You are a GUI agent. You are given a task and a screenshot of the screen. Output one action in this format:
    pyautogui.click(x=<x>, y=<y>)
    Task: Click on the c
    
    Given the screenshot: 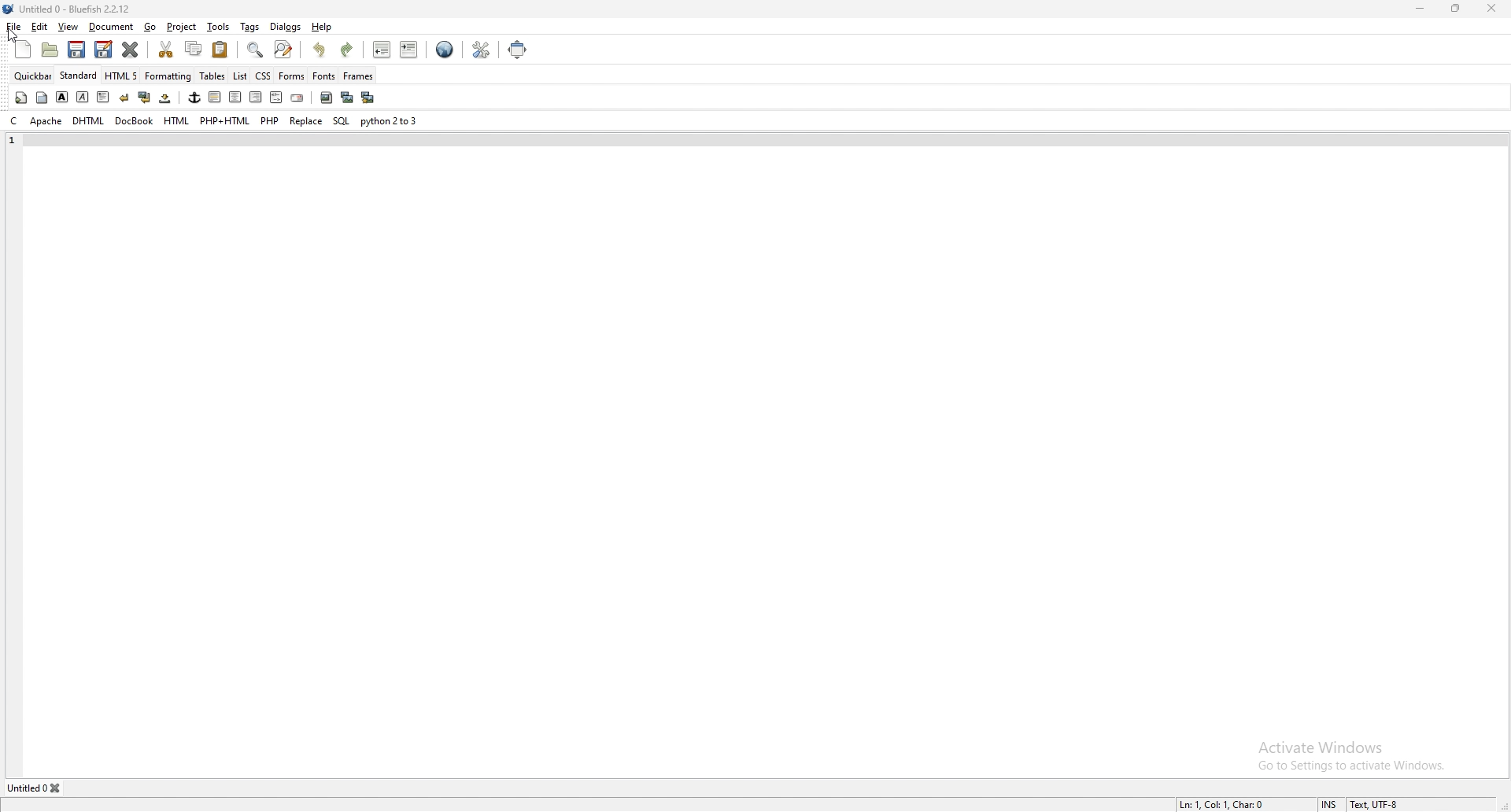 What is the action you would take?
    pyautogui.click(x=16, y=120)
    